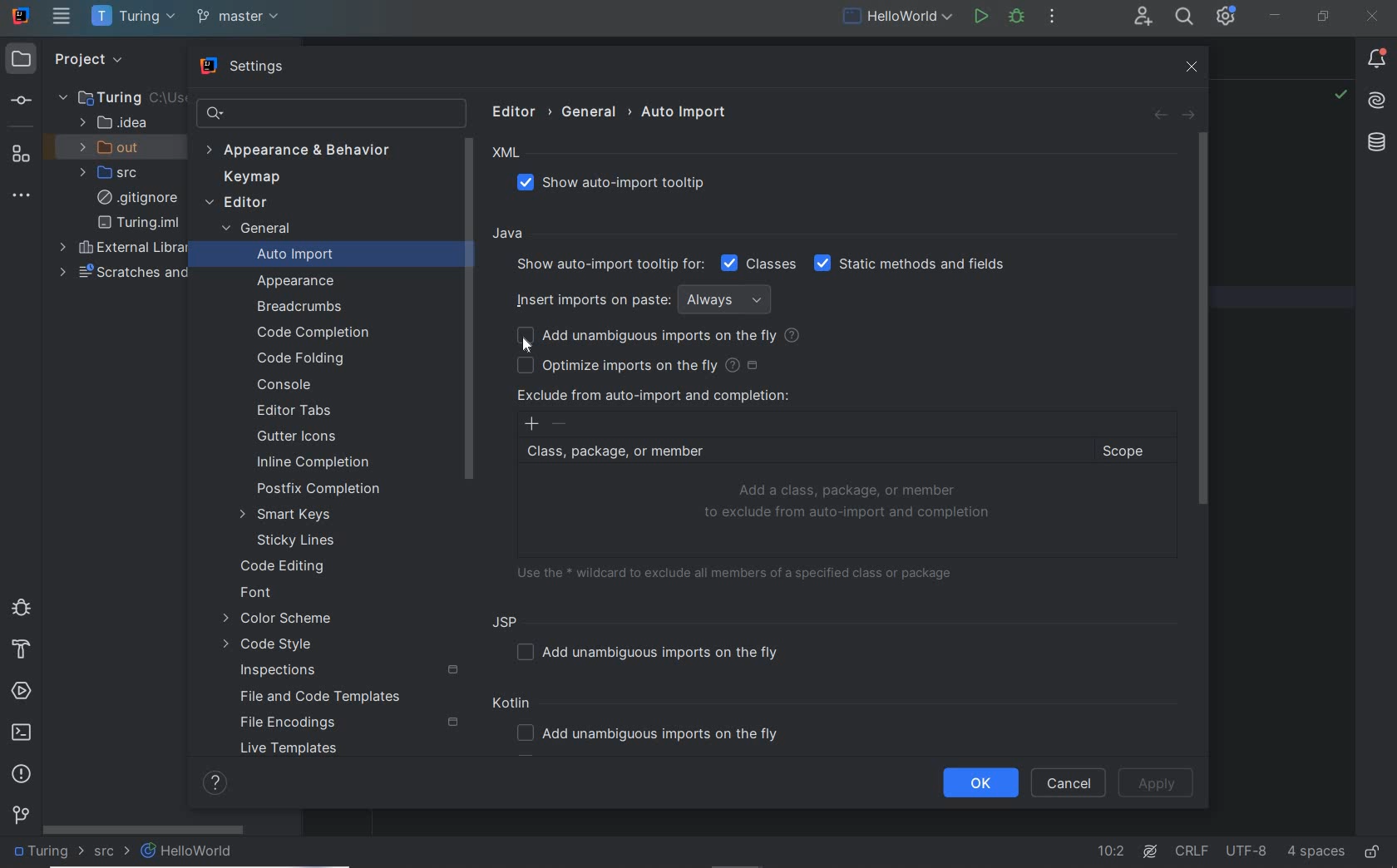  Describe the element at coordinates (22, 196) in the screenshot. I see `more tool windows` at that location.